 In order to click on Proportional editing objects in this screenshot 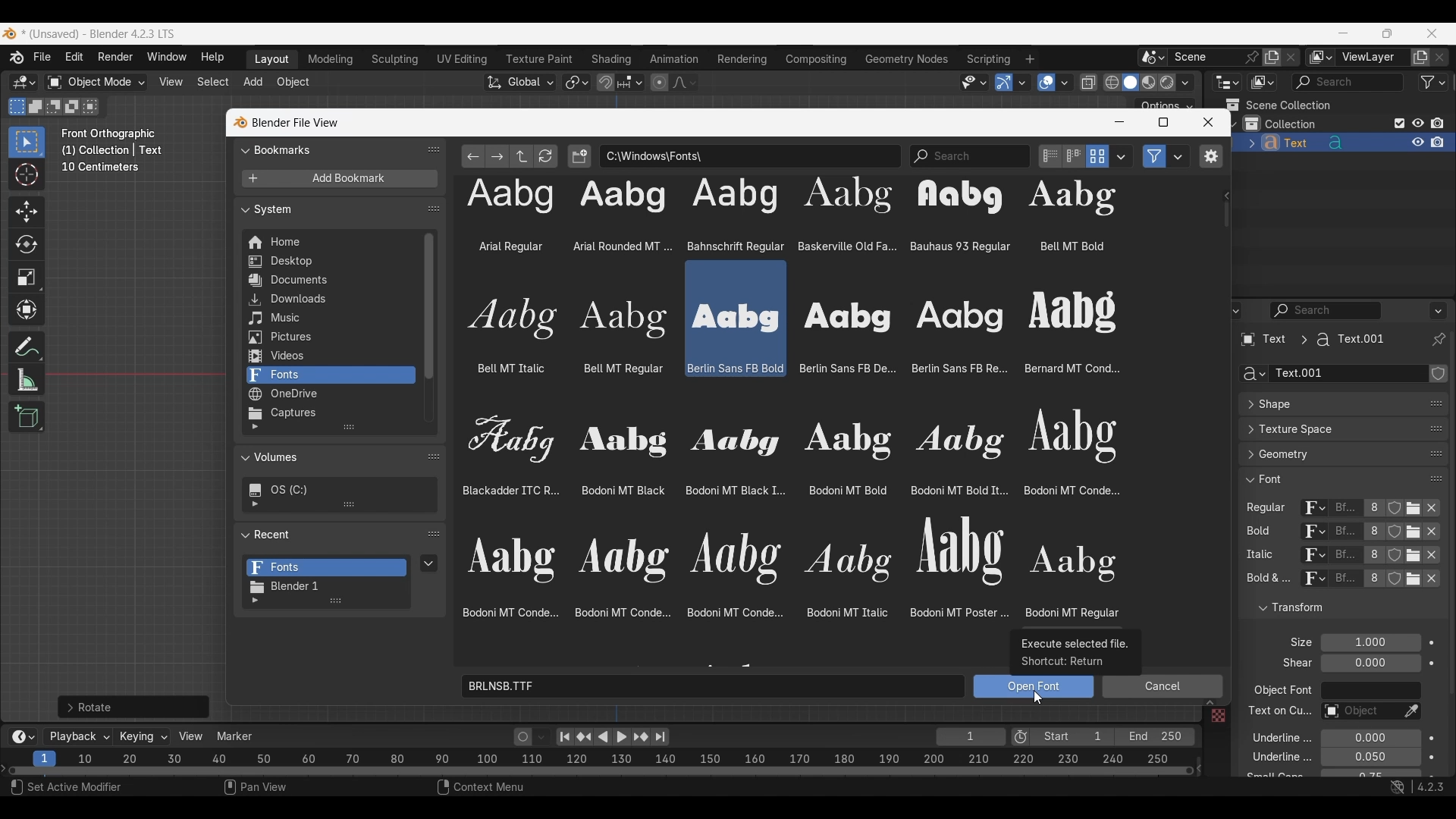, I will do `click(659, 82)`.